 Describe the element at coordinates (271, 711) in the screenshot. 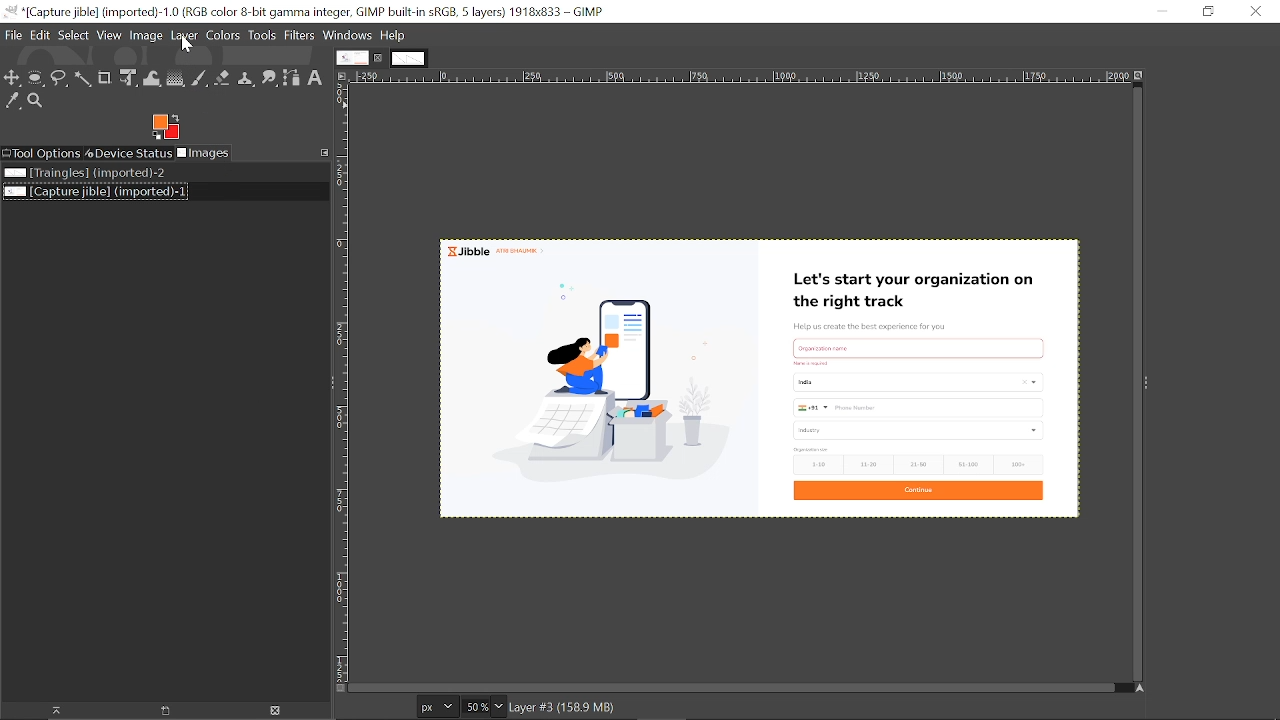

I see `Delete image` at that location.